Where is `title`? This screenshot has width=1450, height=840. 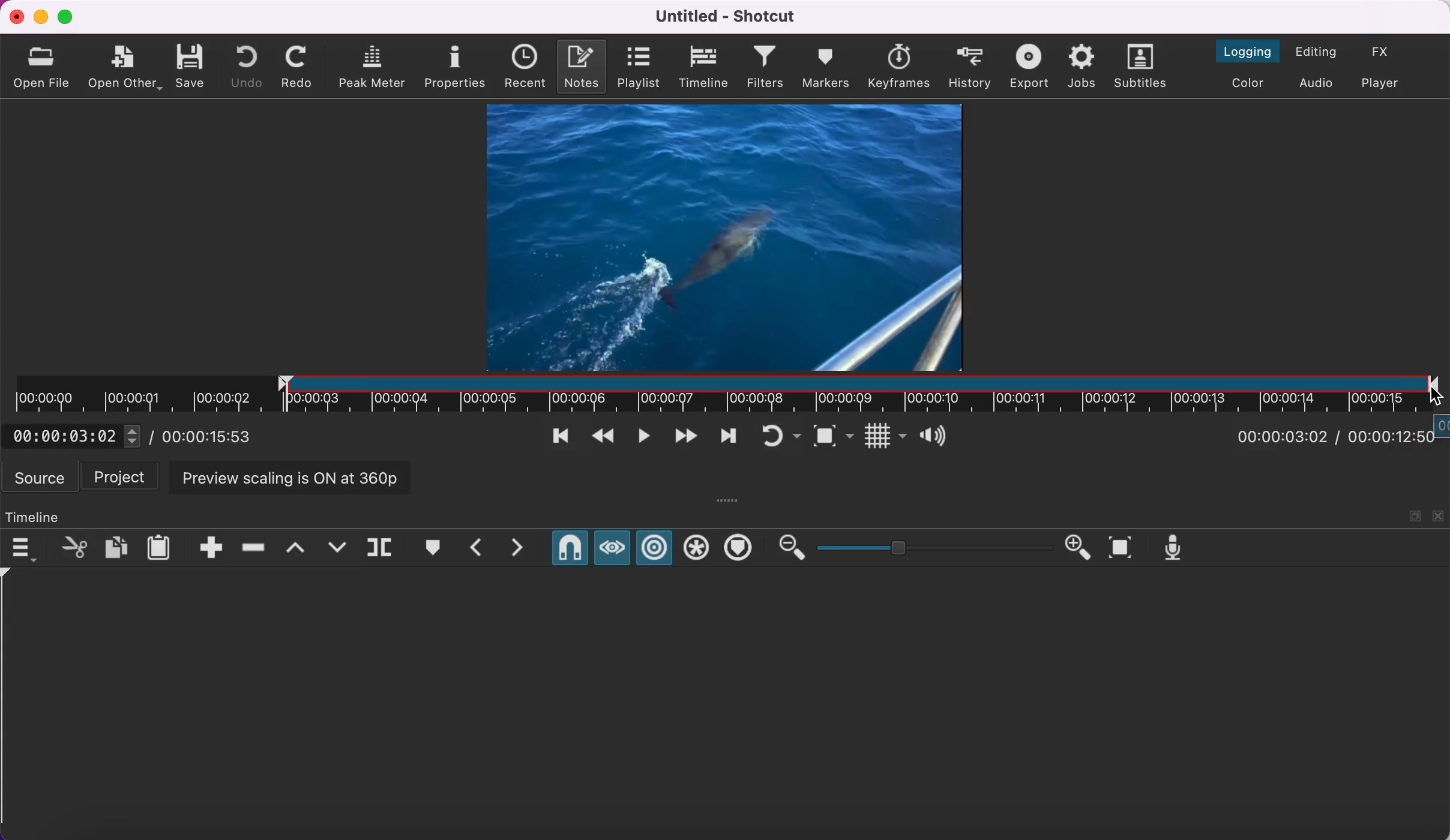 title is located at coordinates (733, 17).